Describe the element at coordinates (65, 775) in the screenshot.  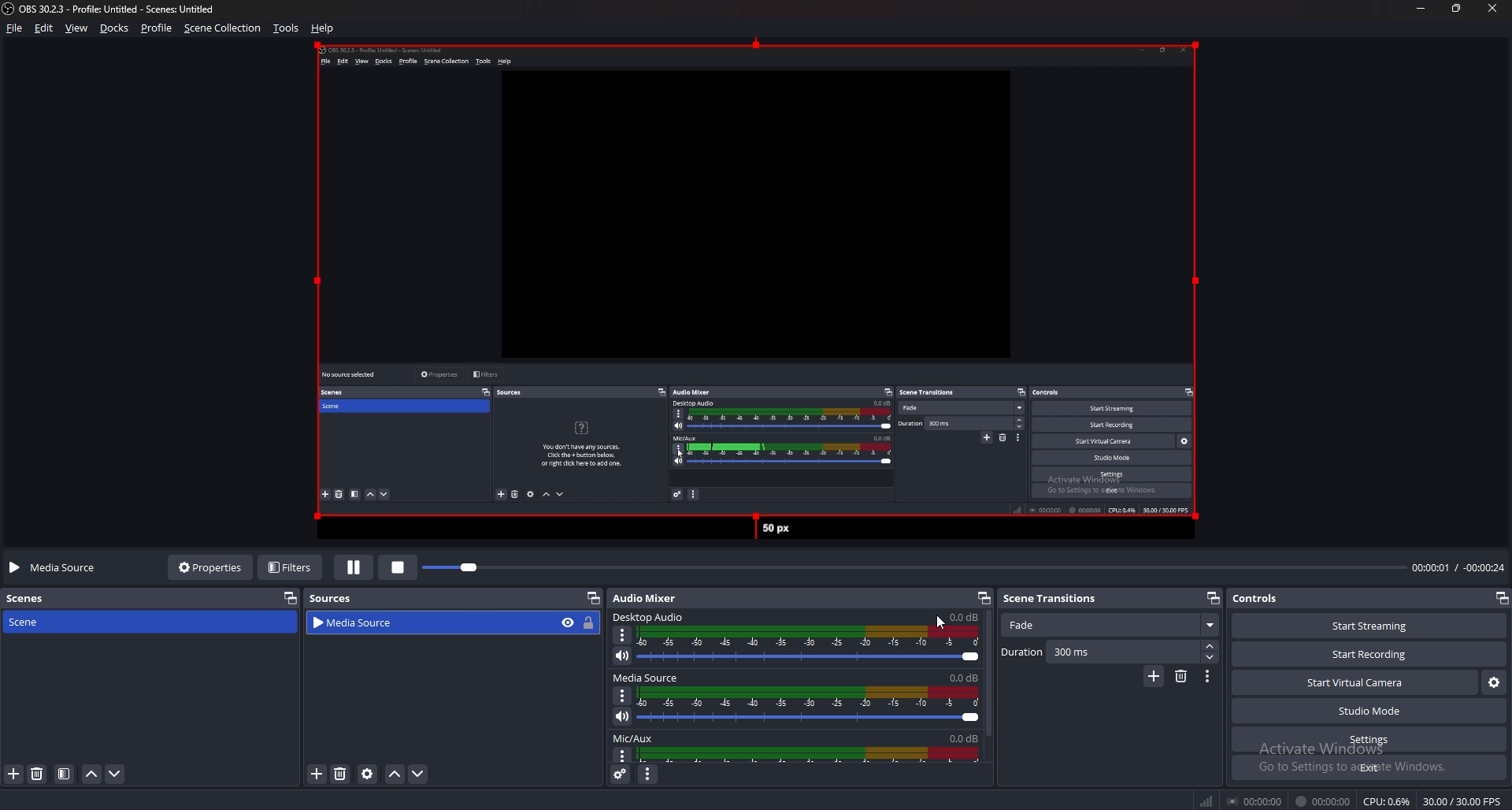
I see `Filter` at that location.